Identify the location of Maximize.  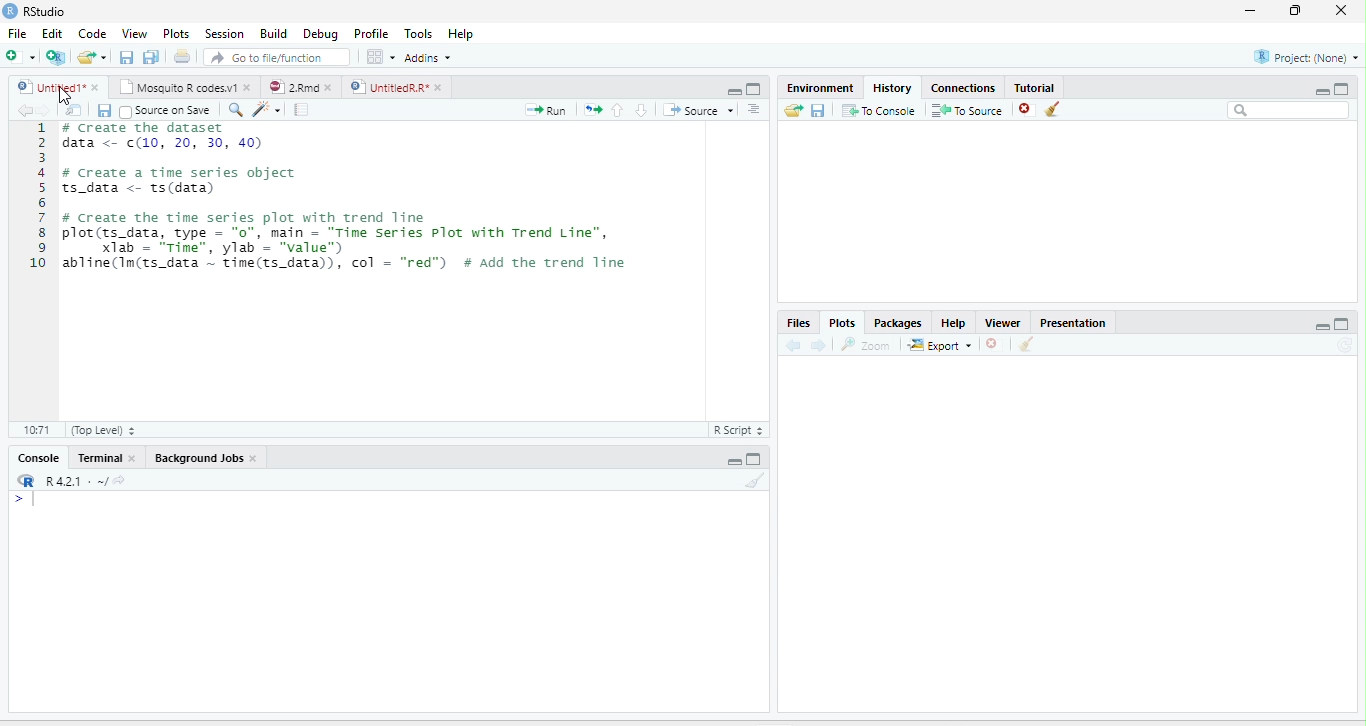
(1343, 324).